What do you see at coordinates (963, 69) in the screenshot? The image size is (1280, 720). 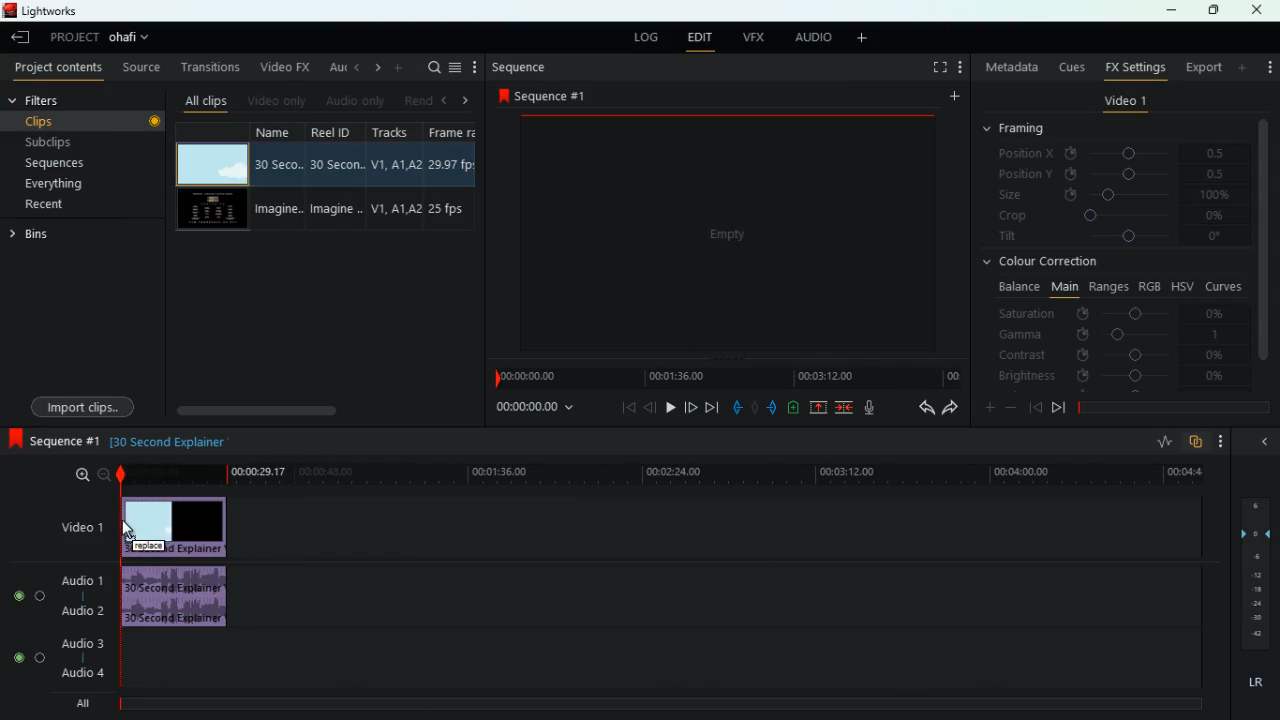 I see `more` at bounding box center [963, 69].